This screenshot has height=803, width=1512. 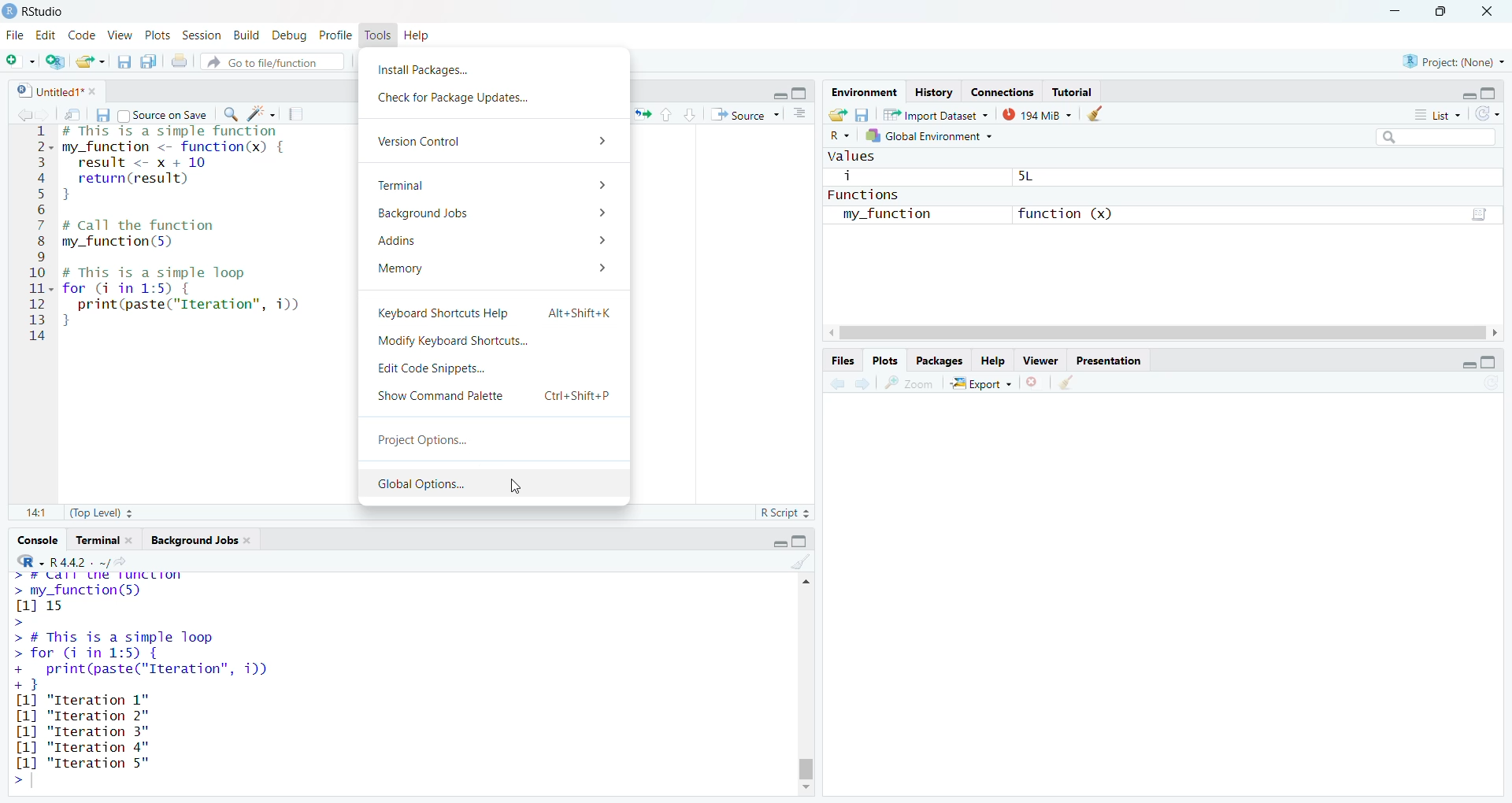 I want to click on code of a simple function, so click(x=195, y=165).